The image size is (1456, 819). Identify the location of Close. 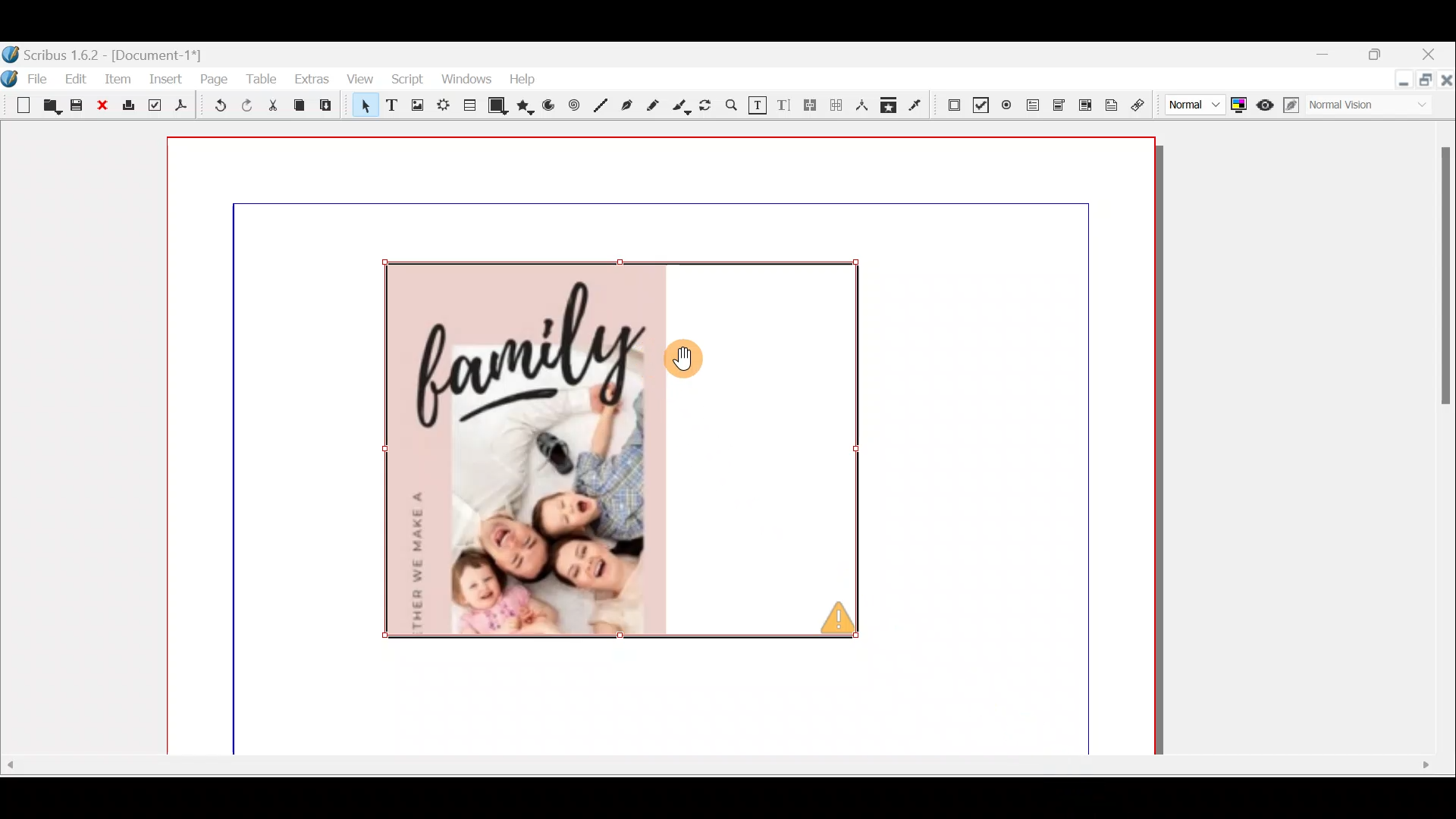
(1430, 56).